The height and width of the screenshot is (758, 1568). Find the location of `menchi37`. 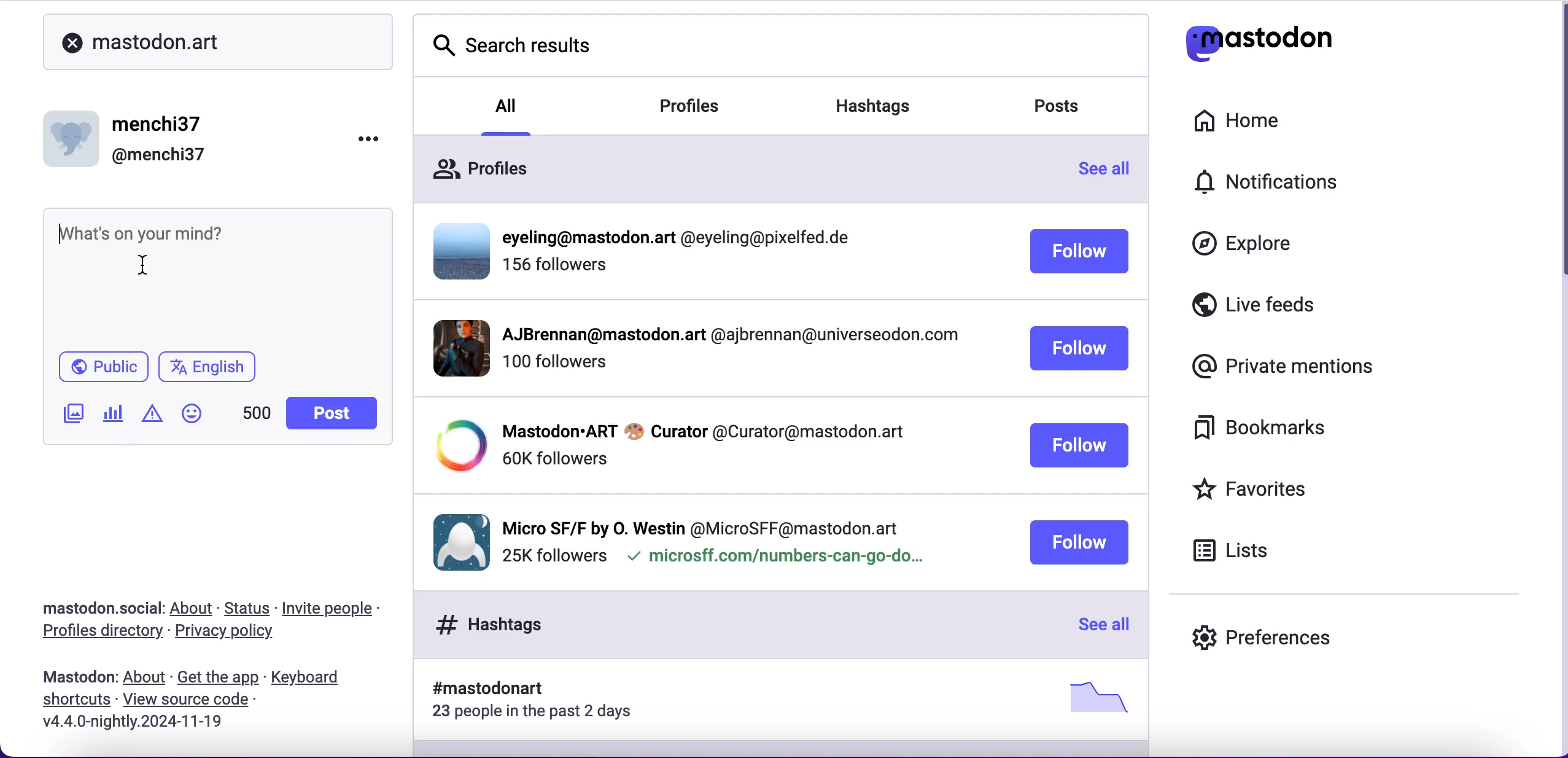

menchi37 is located at coordinates (159, 125).